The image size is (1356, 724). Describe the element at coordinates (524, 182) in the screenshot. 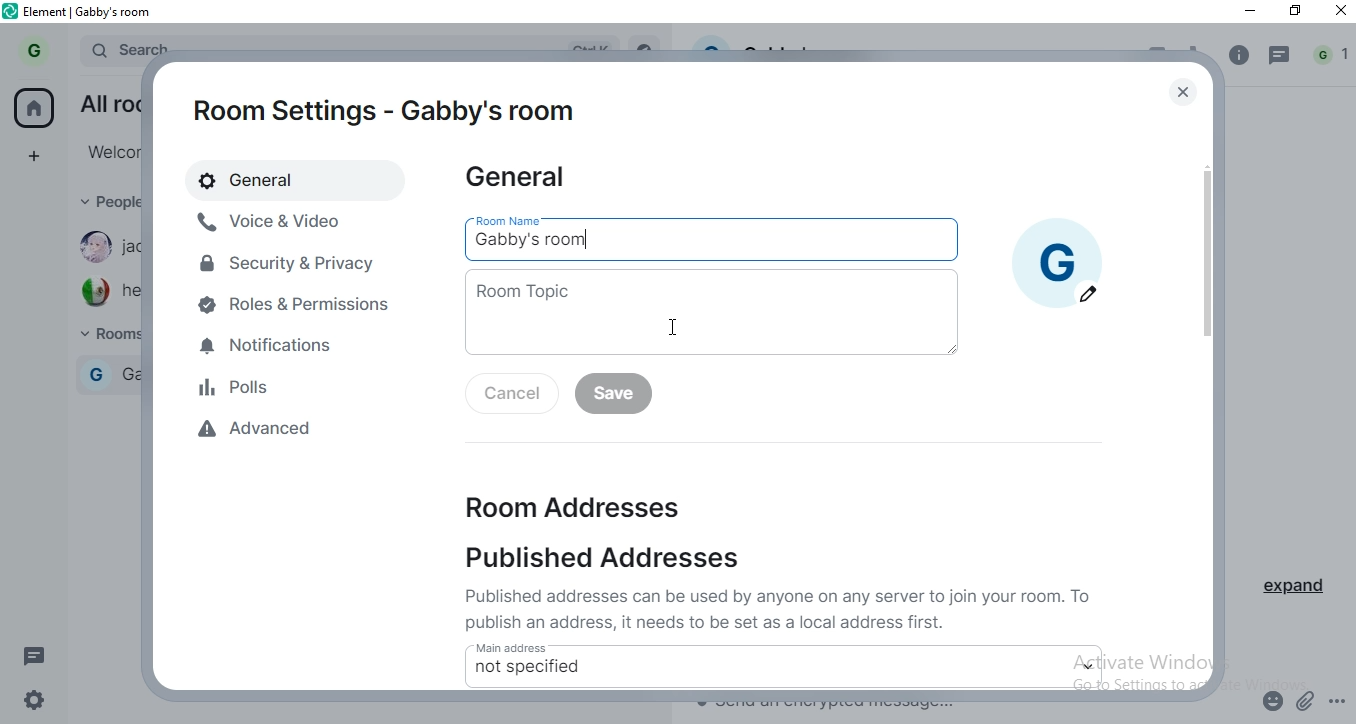

I see `general` at that location.